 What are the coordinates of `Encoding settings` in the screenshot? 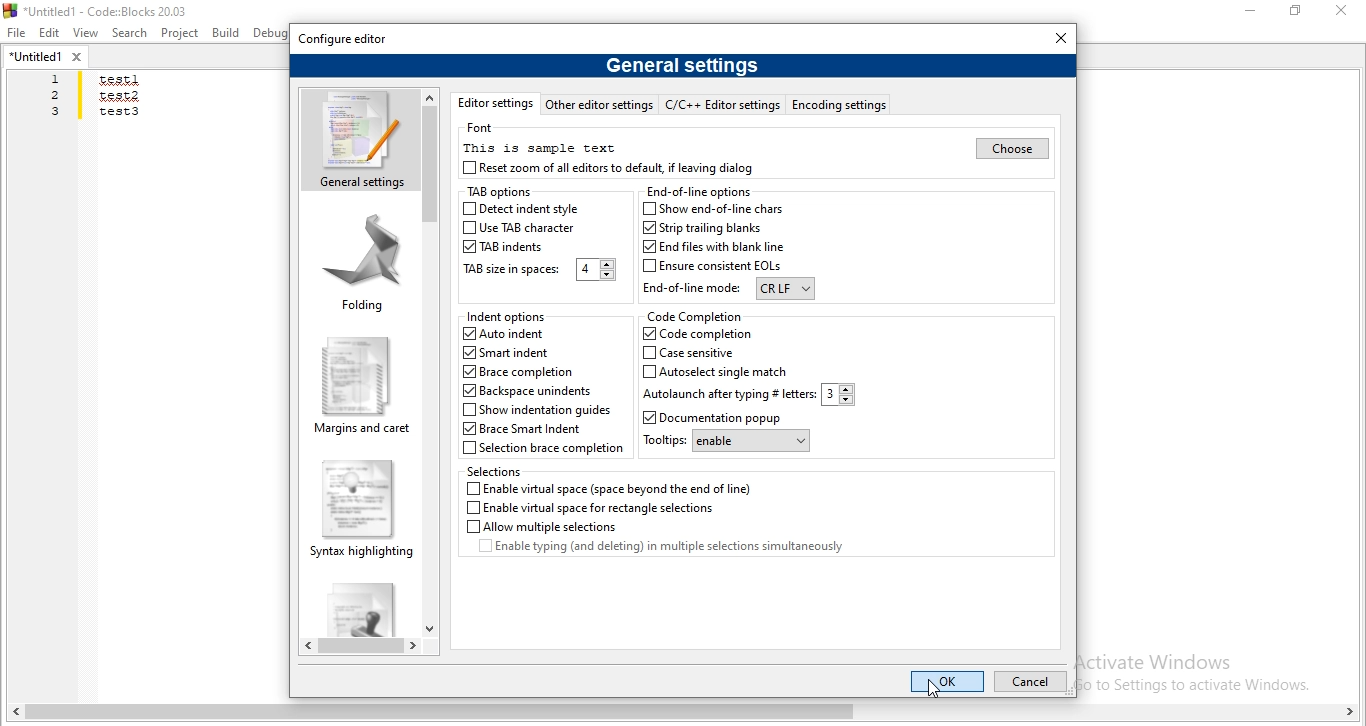 It's located at (840, 104).